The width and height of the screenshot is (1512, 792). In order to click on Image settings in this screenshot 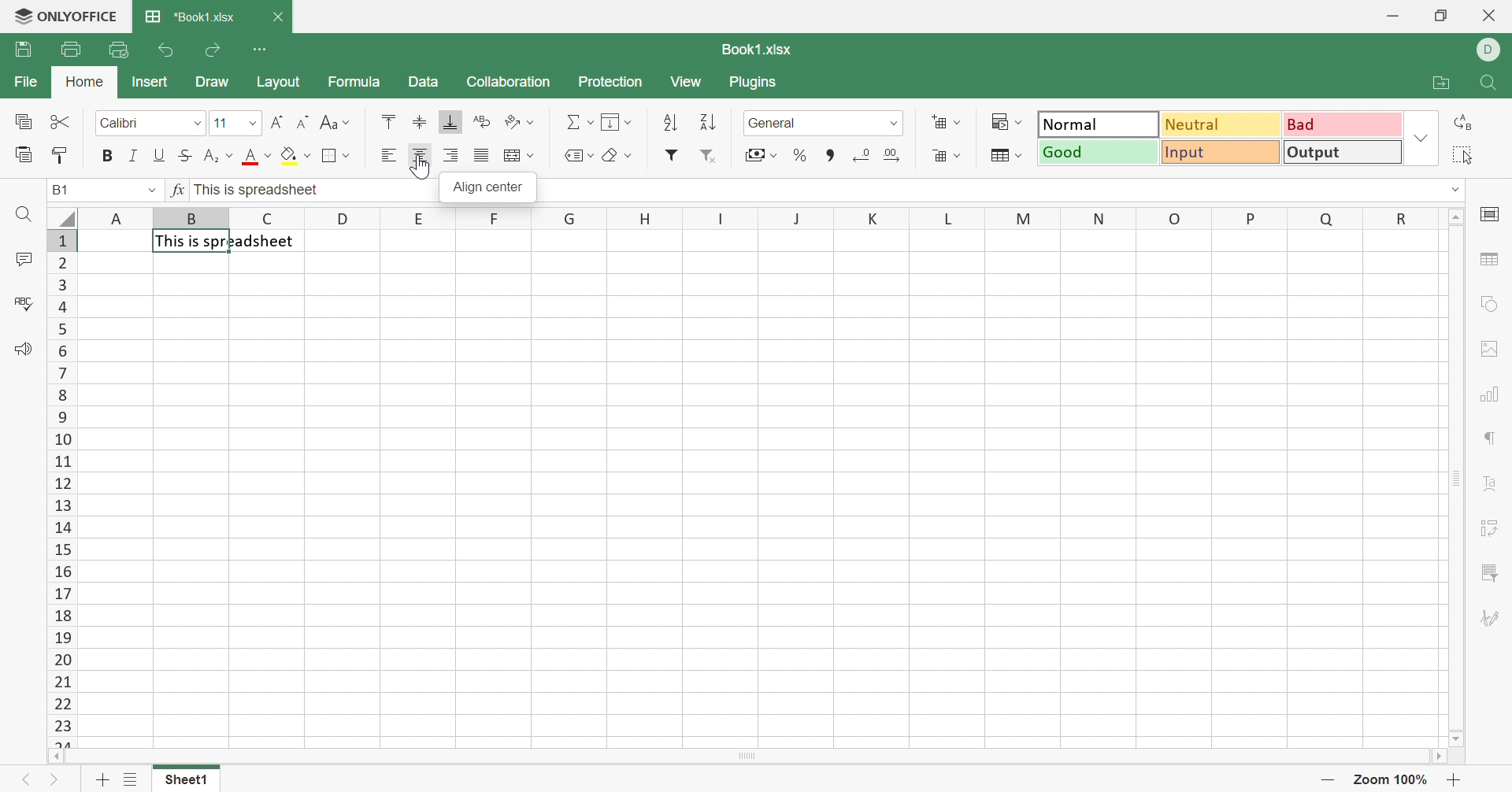, I will do `click(1492, 348)`.